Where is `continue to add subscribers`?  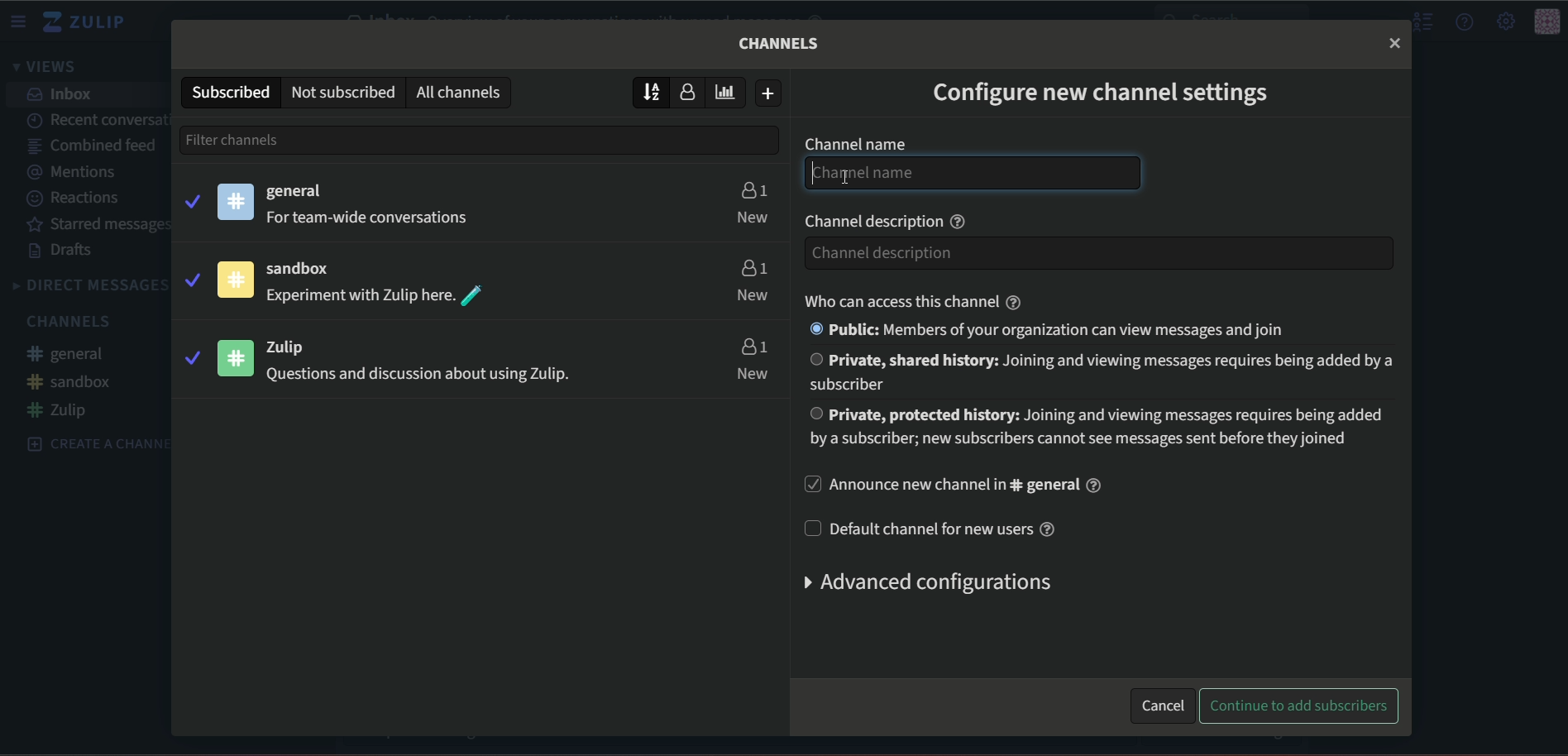 continue to add subscribers is located at coordinates (1303, 706).